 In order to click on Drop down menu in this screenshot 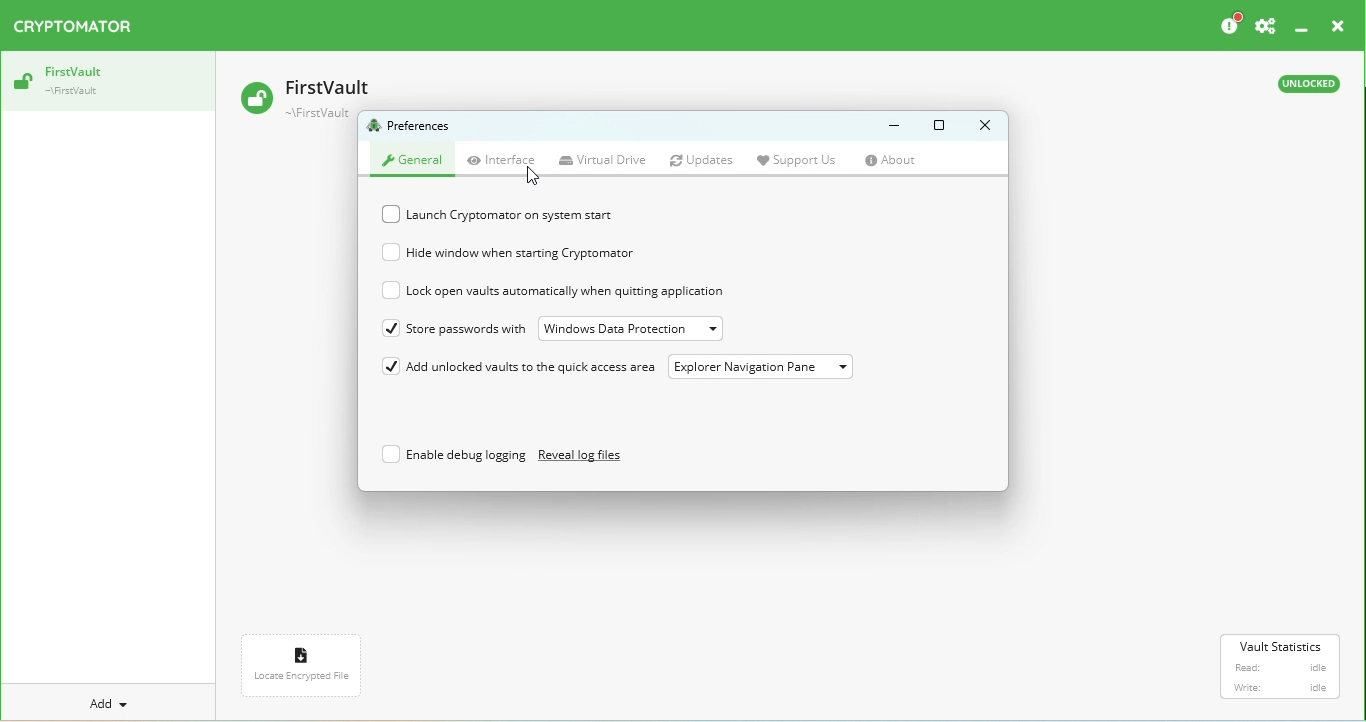, I will do `click(765, 368)`.